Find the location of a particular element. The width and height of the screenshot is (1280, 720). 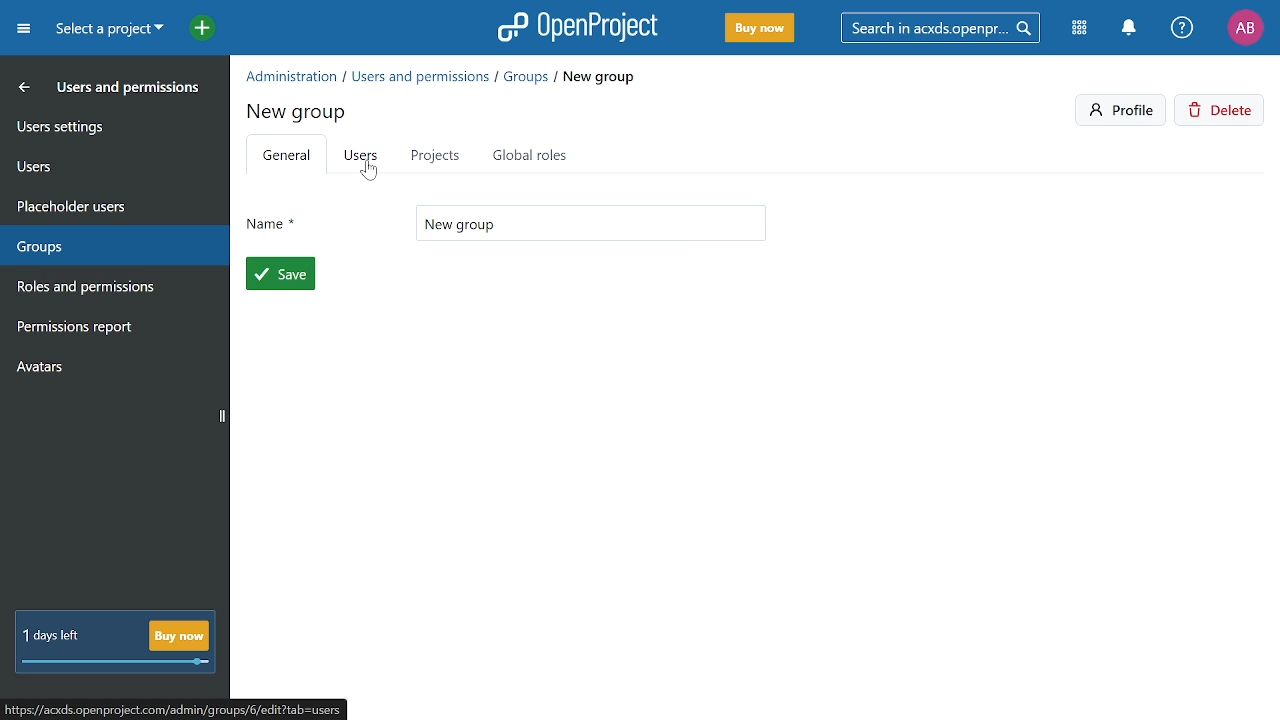

Placeholders users is located at coordinates (112, 204).